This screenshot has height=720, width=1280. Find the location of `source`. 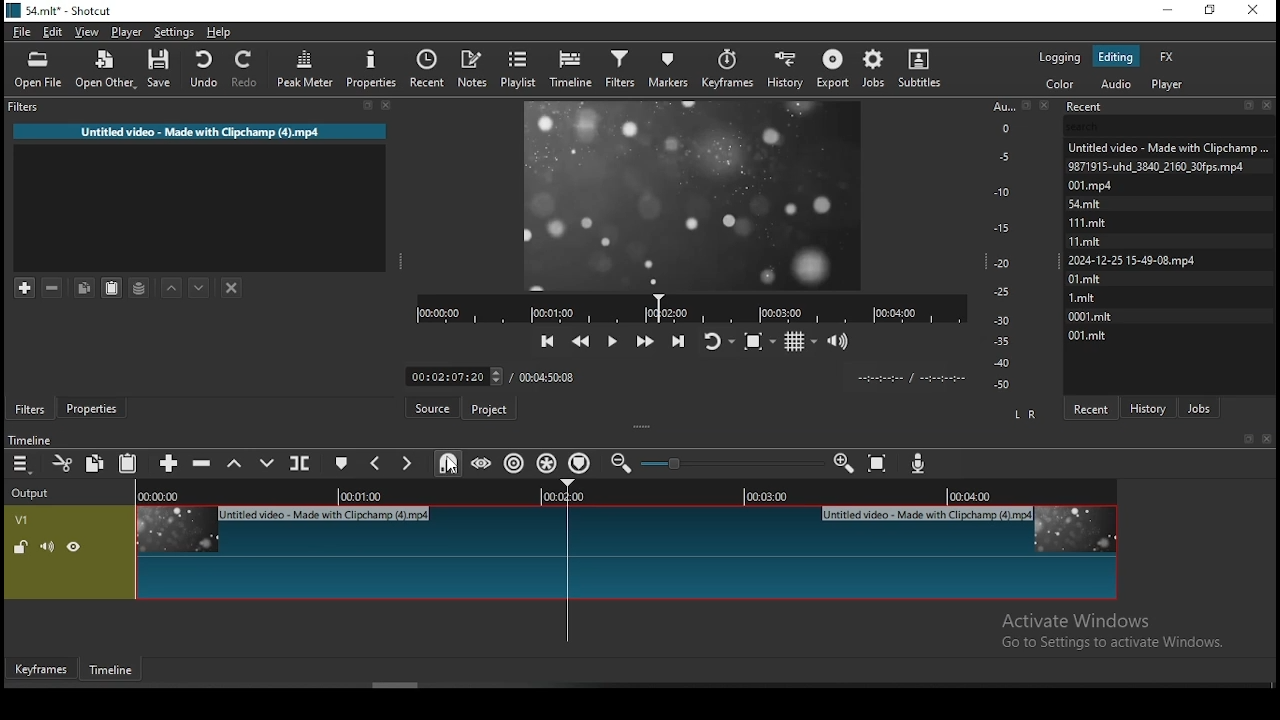

source is located at coordinates (434, 409).